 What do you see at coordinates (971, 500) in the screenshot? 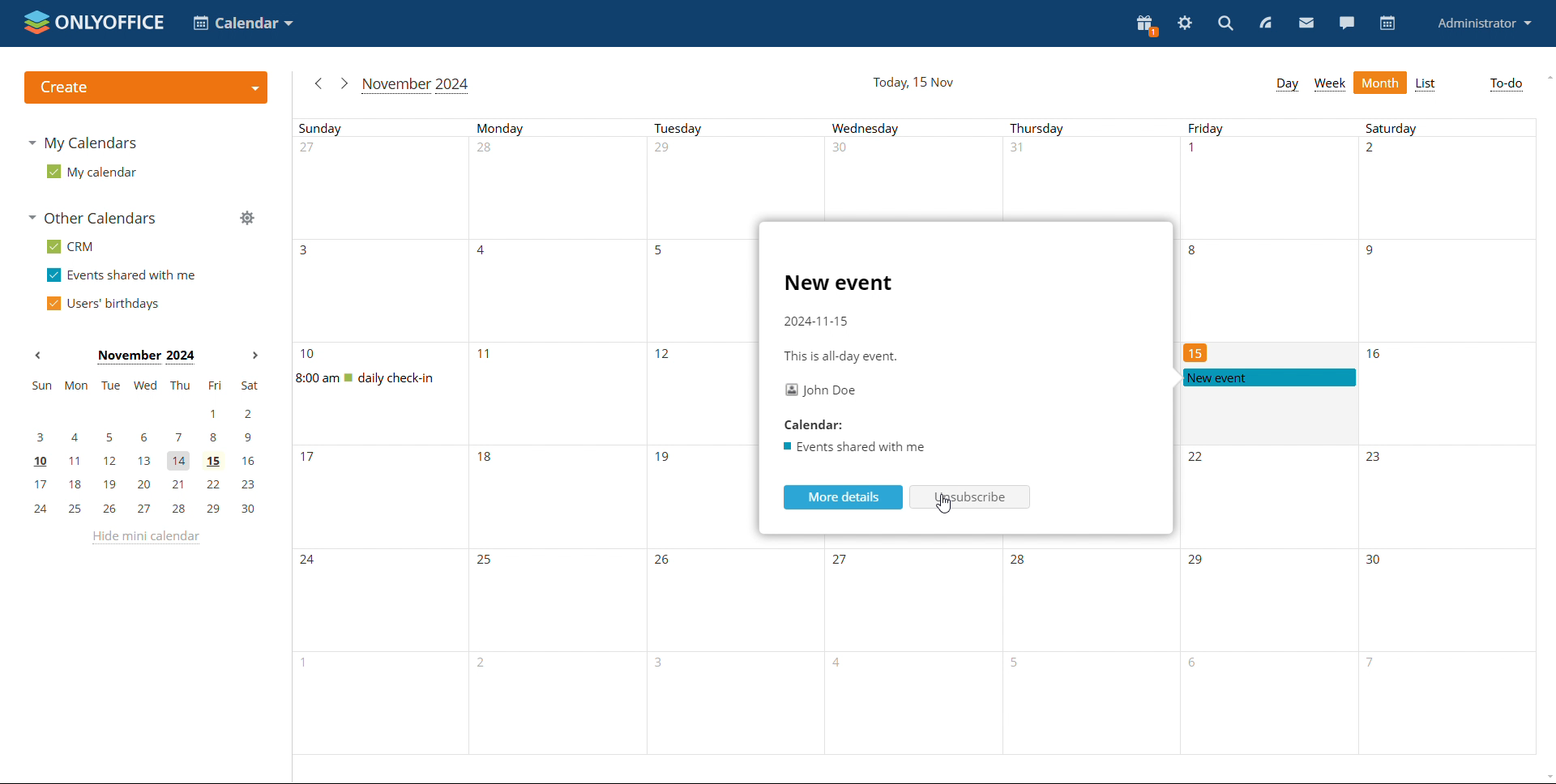
I see `unsubscribe` at bounding box center [971, 500].